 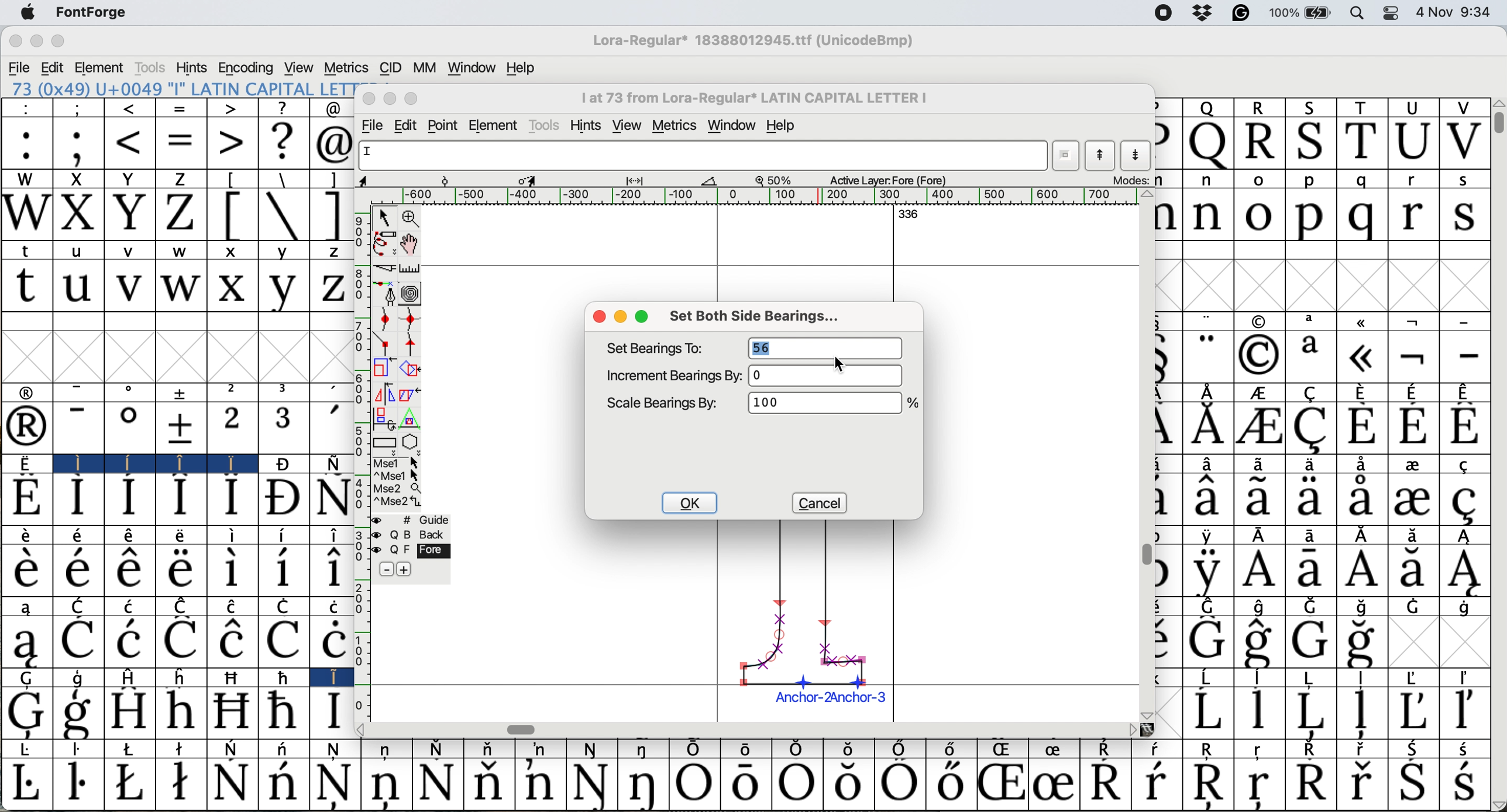 What do you see at coordinates (129, 499) in the screenshot?
I see `Symbol` at bounding box center [129, 499].